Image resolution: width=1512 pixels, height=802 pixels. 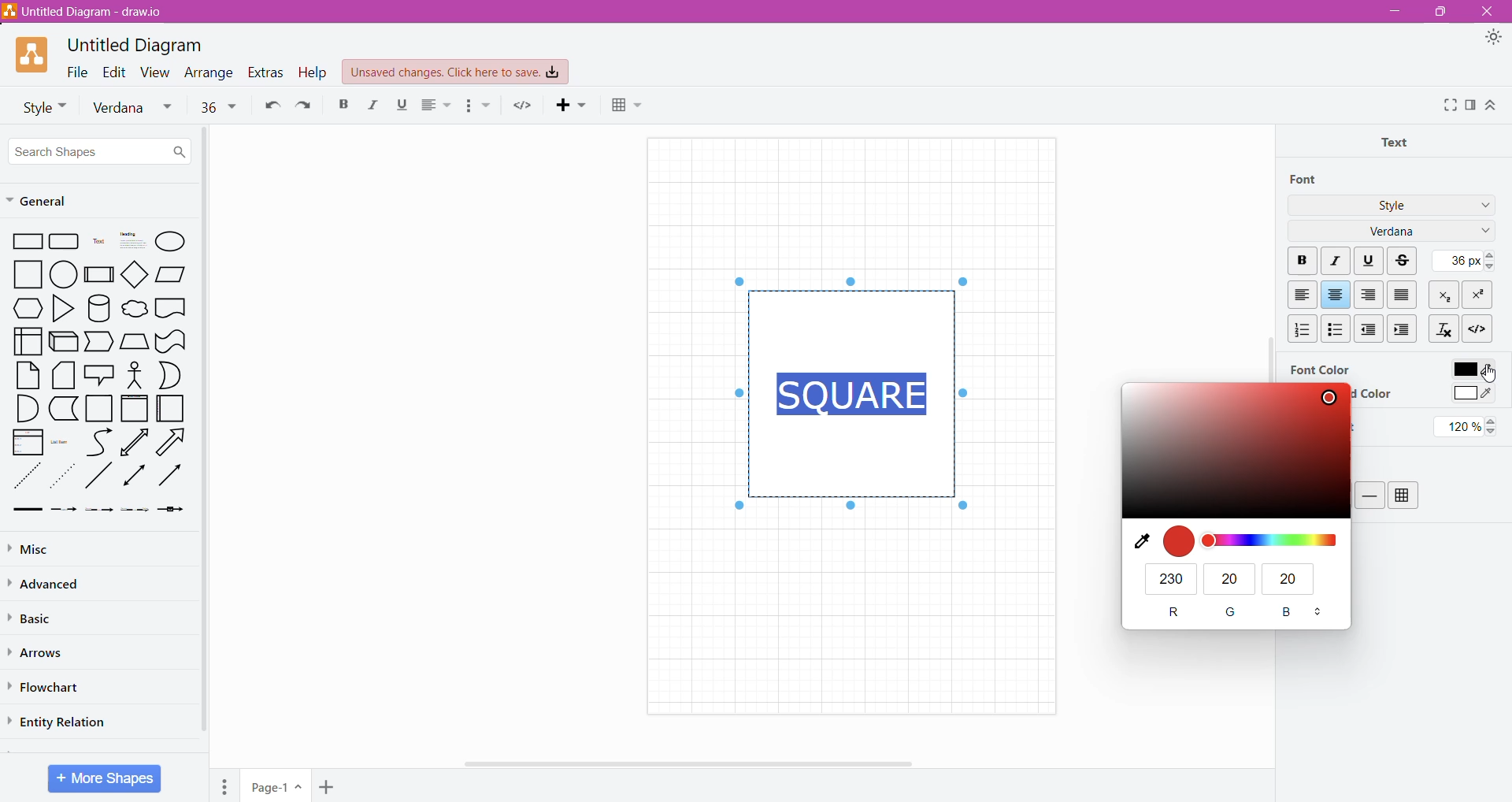 I want to click on R, so click(x=1173, y=612).